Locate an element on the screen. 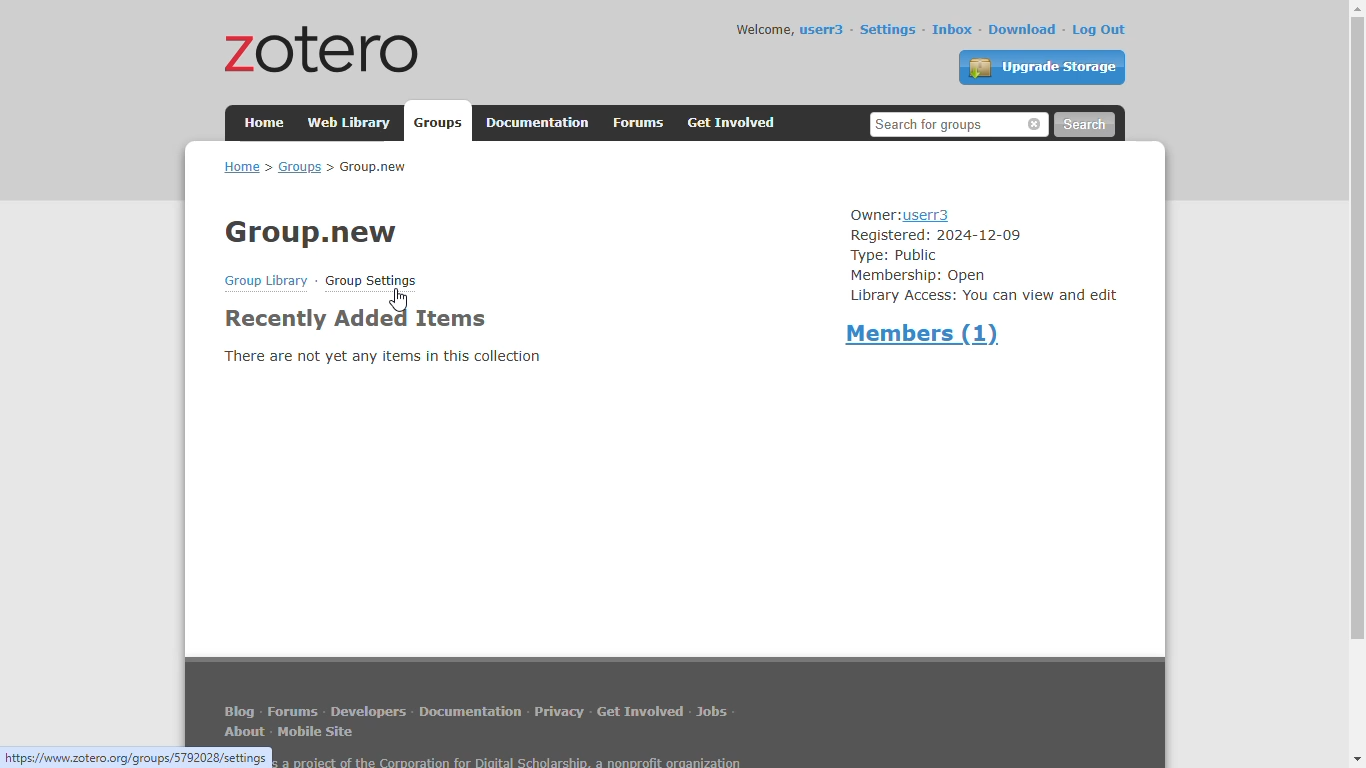 The image size is (1366, 768). web library is located at coordinates (351, 122).